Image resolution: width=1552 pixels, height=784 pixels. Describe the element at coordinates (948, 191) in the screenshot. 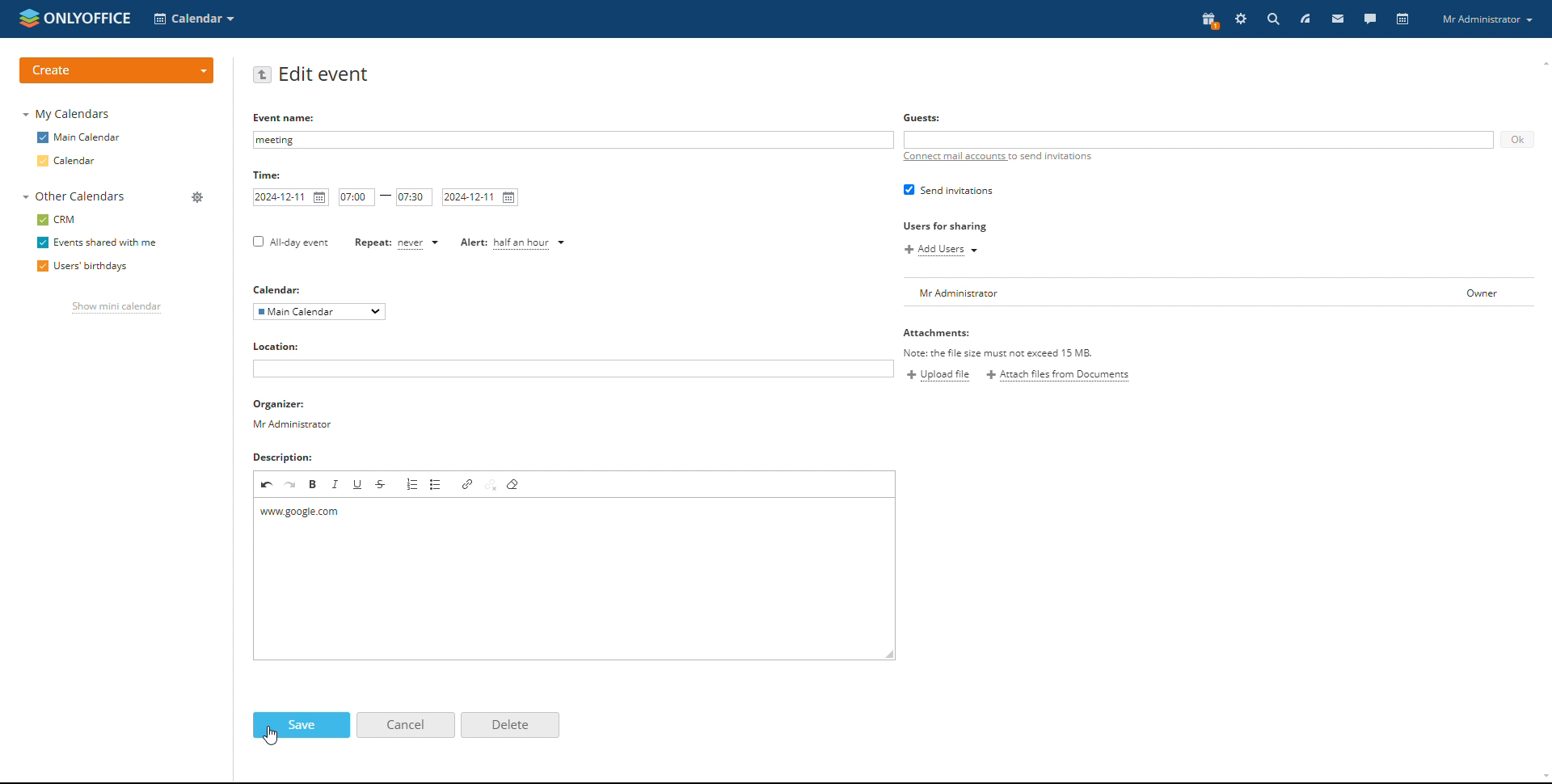

I see `send invitations` at that location.